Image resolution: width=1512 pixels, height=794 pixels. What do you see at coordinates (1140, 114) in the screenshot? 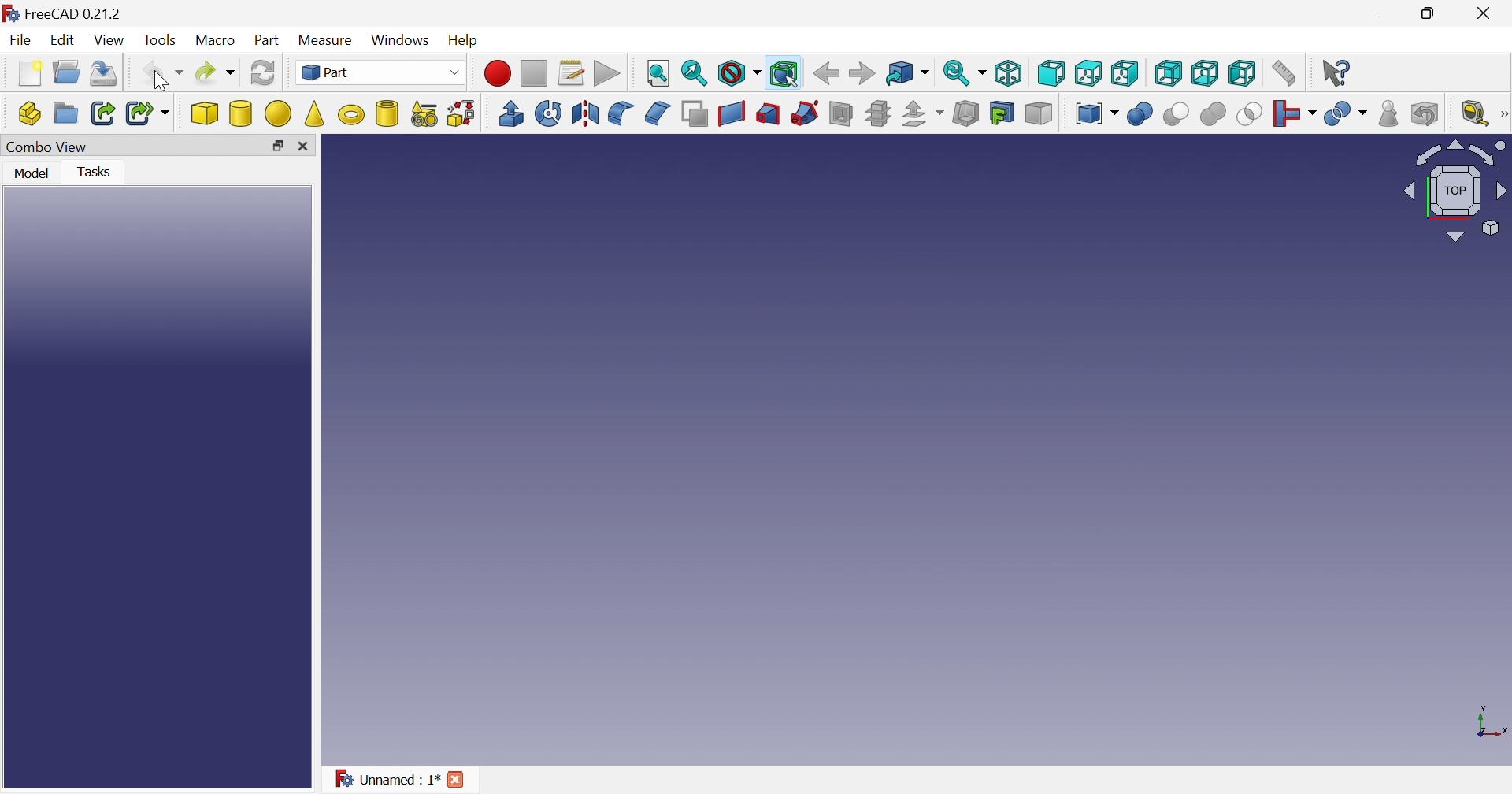
I see `Boolean...` at bounding box center [1140, 114].